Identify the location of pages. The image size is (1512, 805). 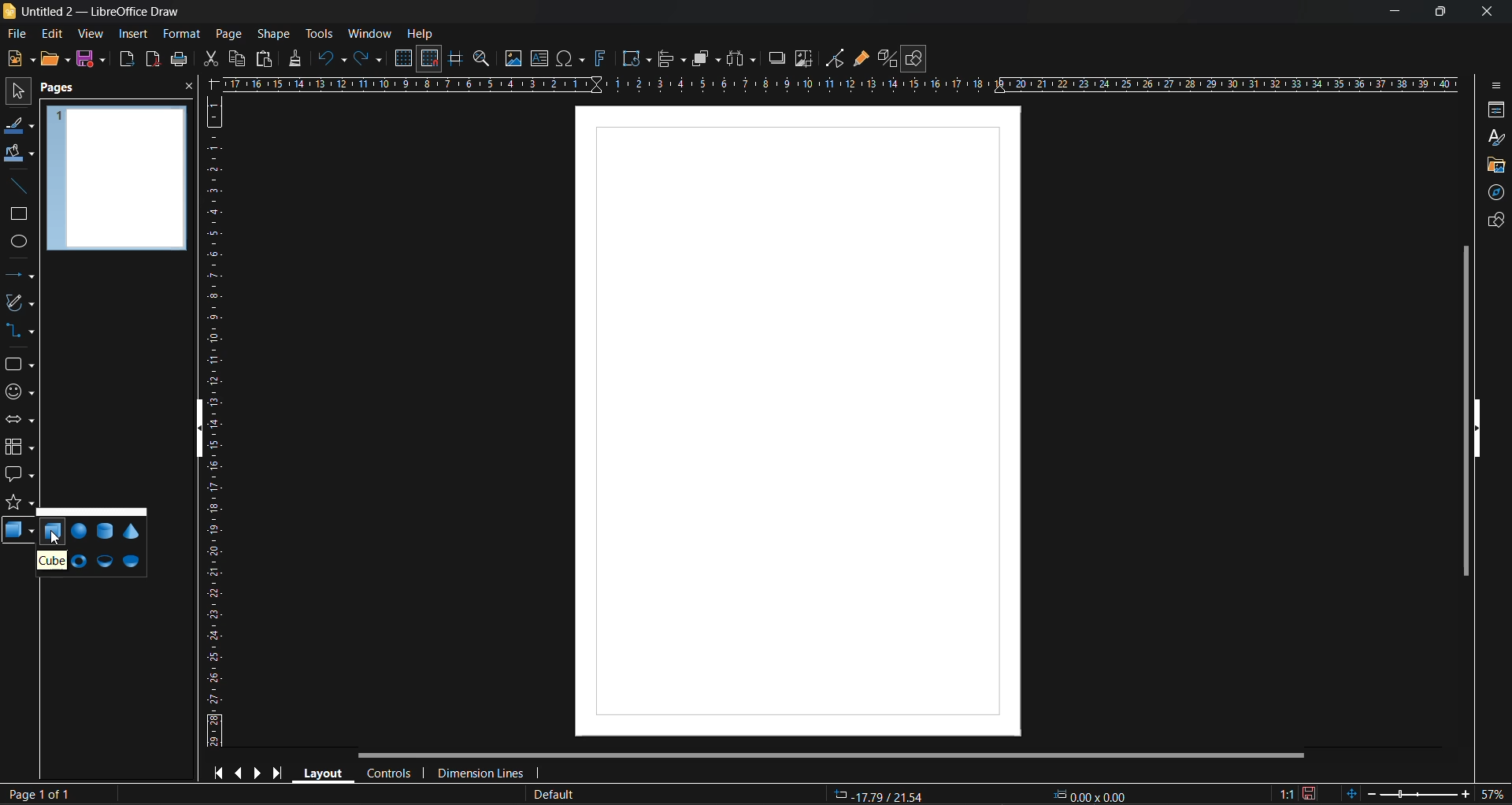
(62, 88).